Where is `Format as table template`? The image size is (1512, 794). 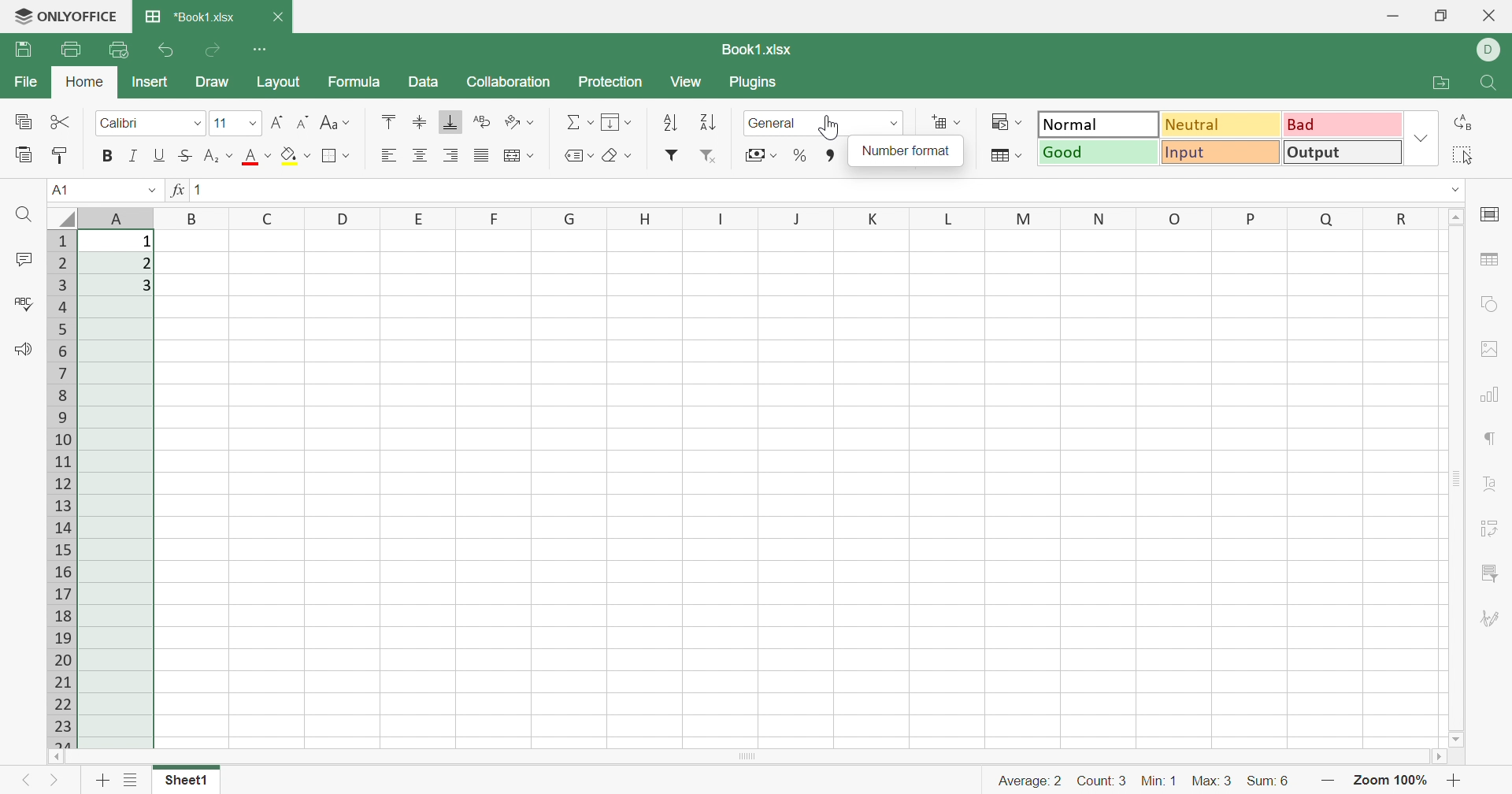
Format as table template is located at coordinates (1006, 154).